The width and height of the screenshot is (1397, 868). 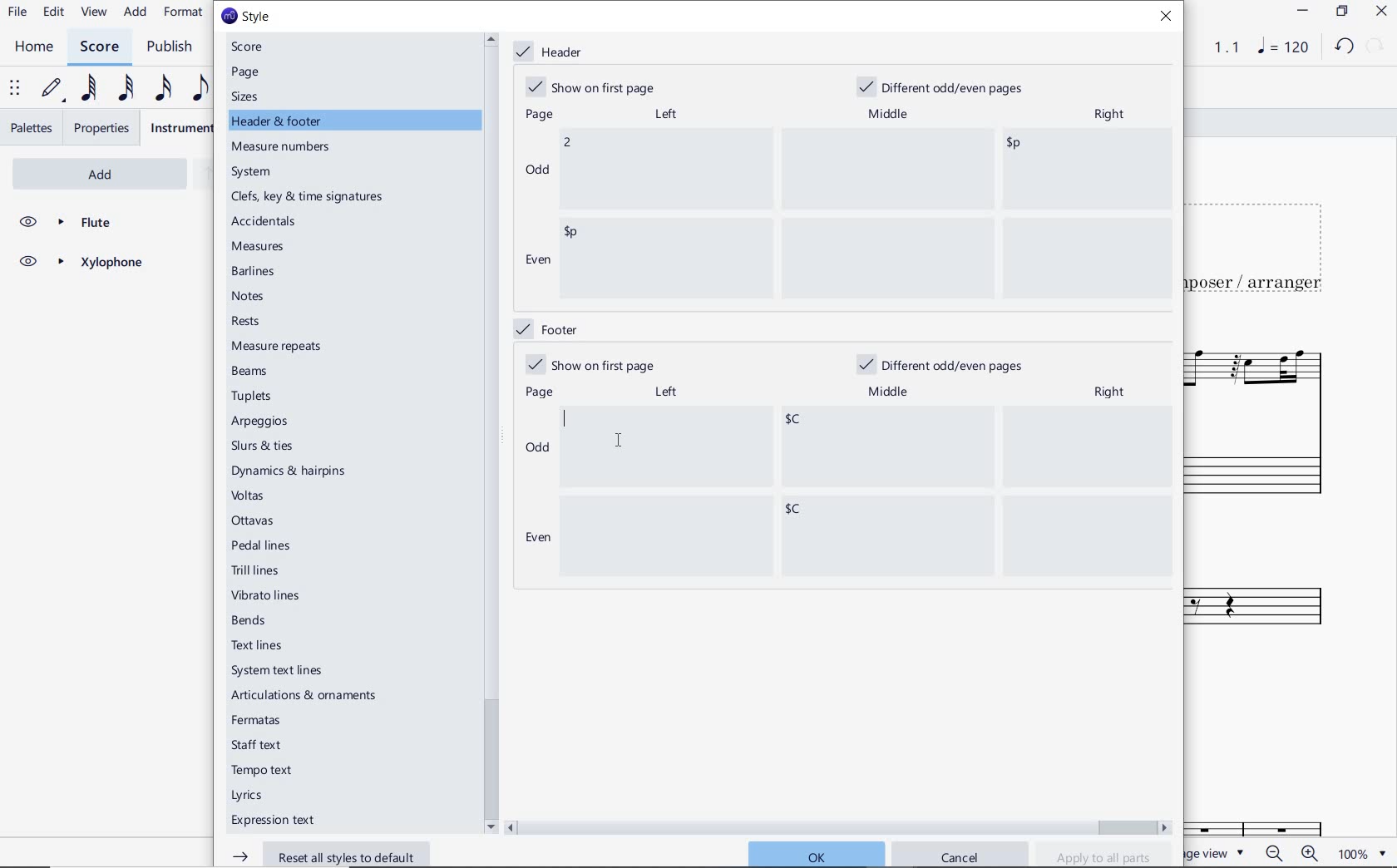 I want to click on 32ND NOTE, so click(x=124, y=86).